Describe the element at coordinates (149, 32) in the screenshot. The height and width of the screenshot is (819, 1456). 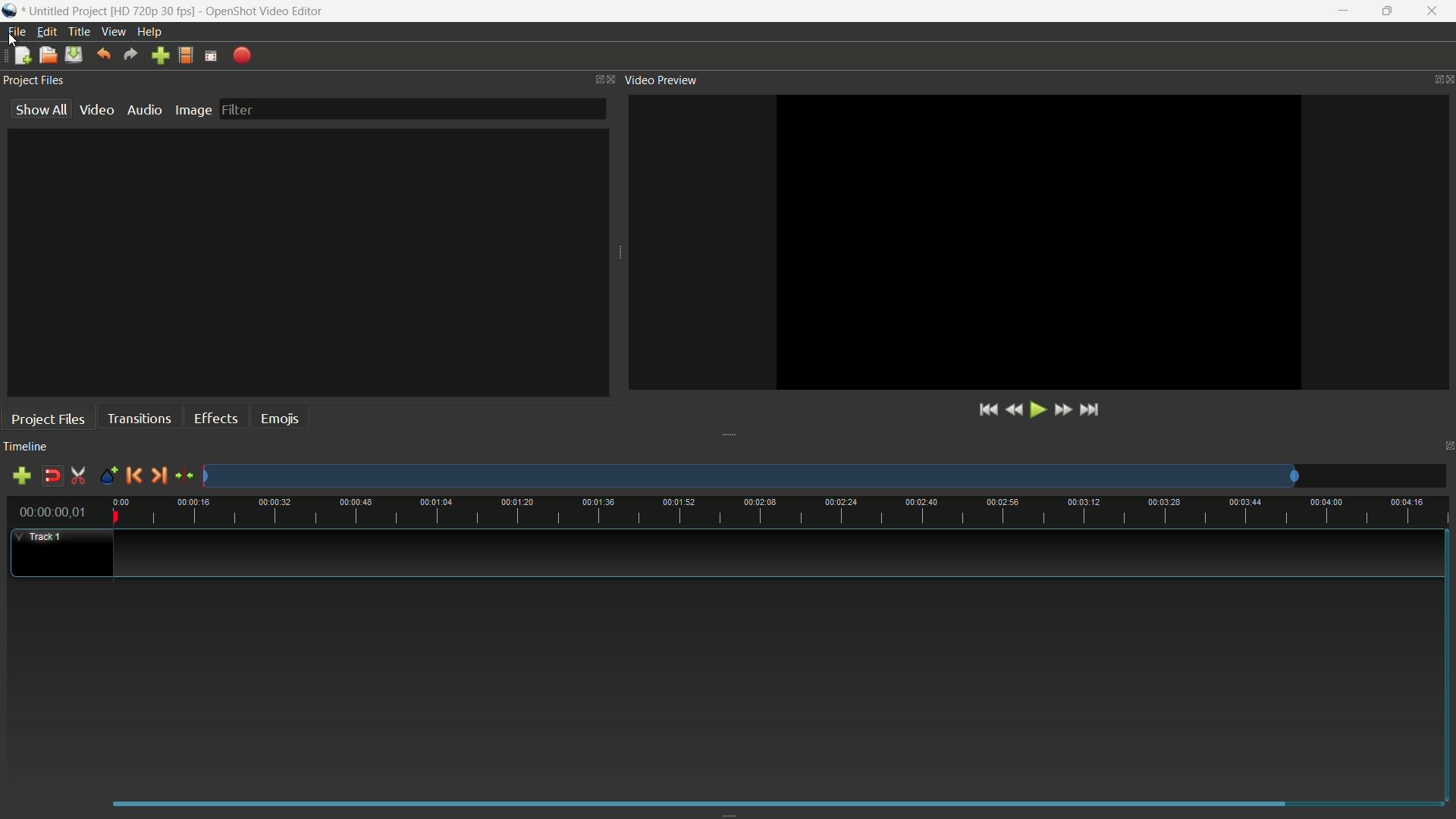
I see `help menu` at that location.